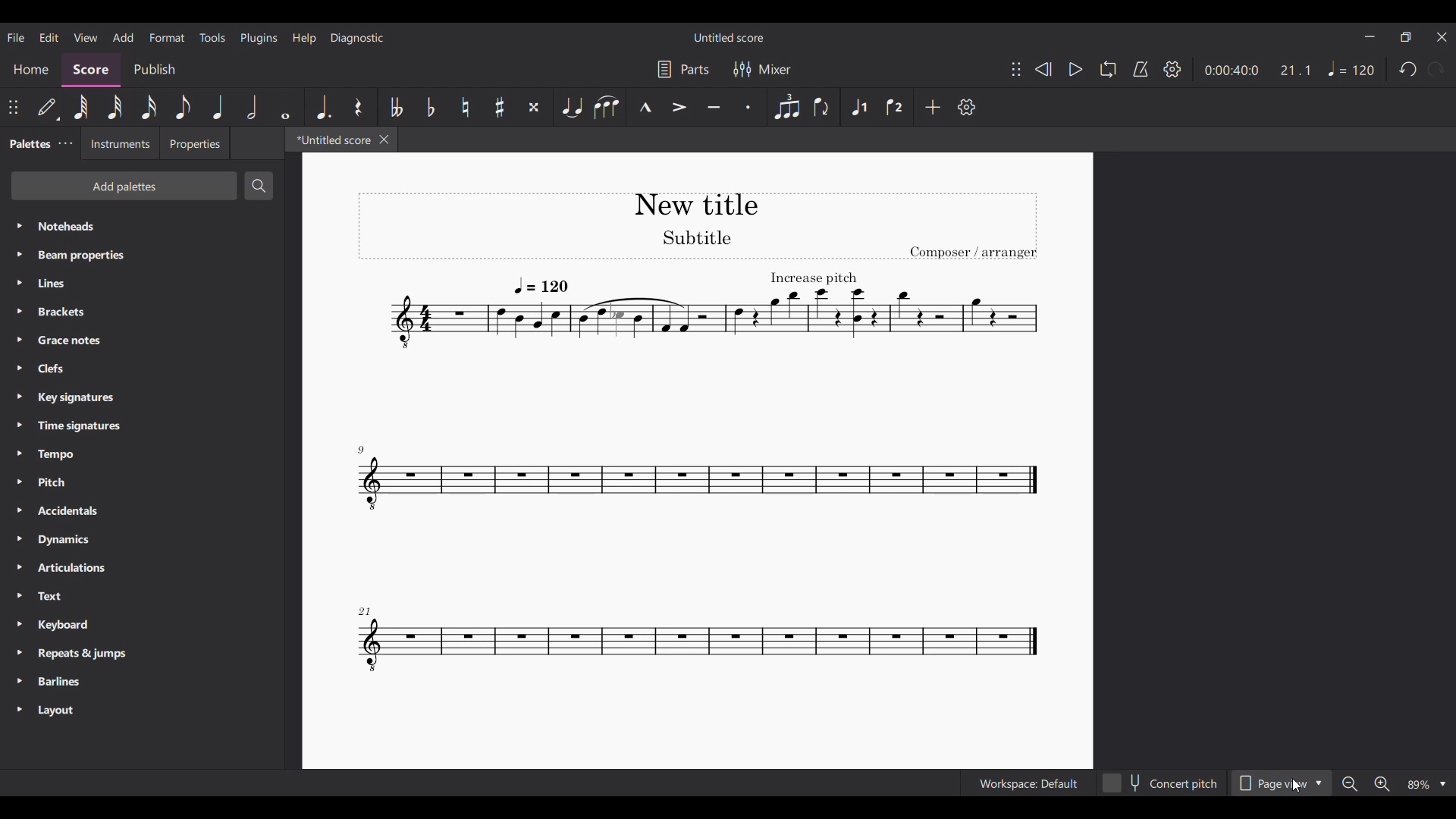  What do you see at coordinates (212, 37) in the screenshot?
I see `Tools menu` at bounding box center [212, 37].